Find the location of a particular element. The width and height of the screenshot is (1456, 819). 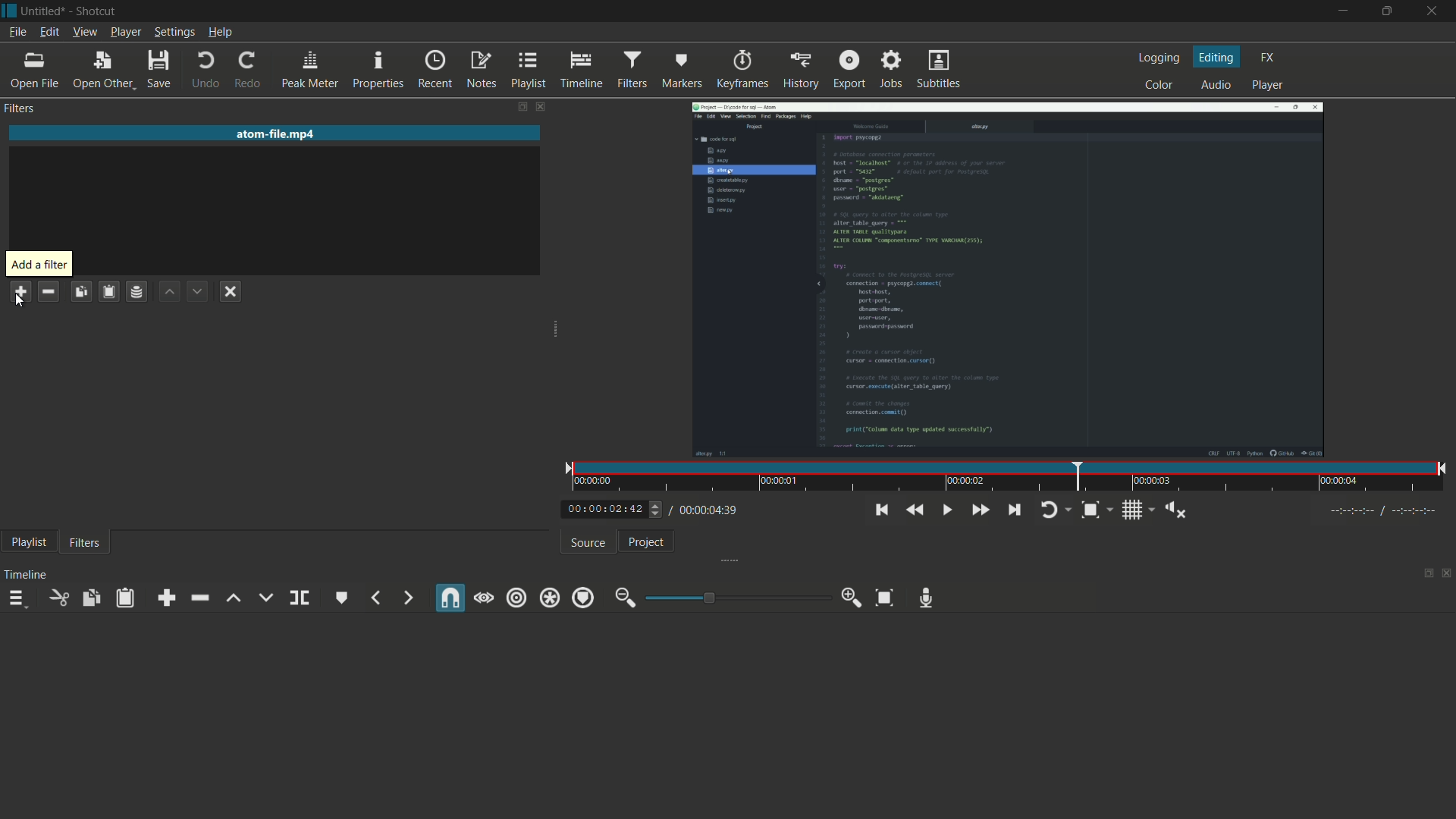

overwrite is located at coordinates (265, 598).